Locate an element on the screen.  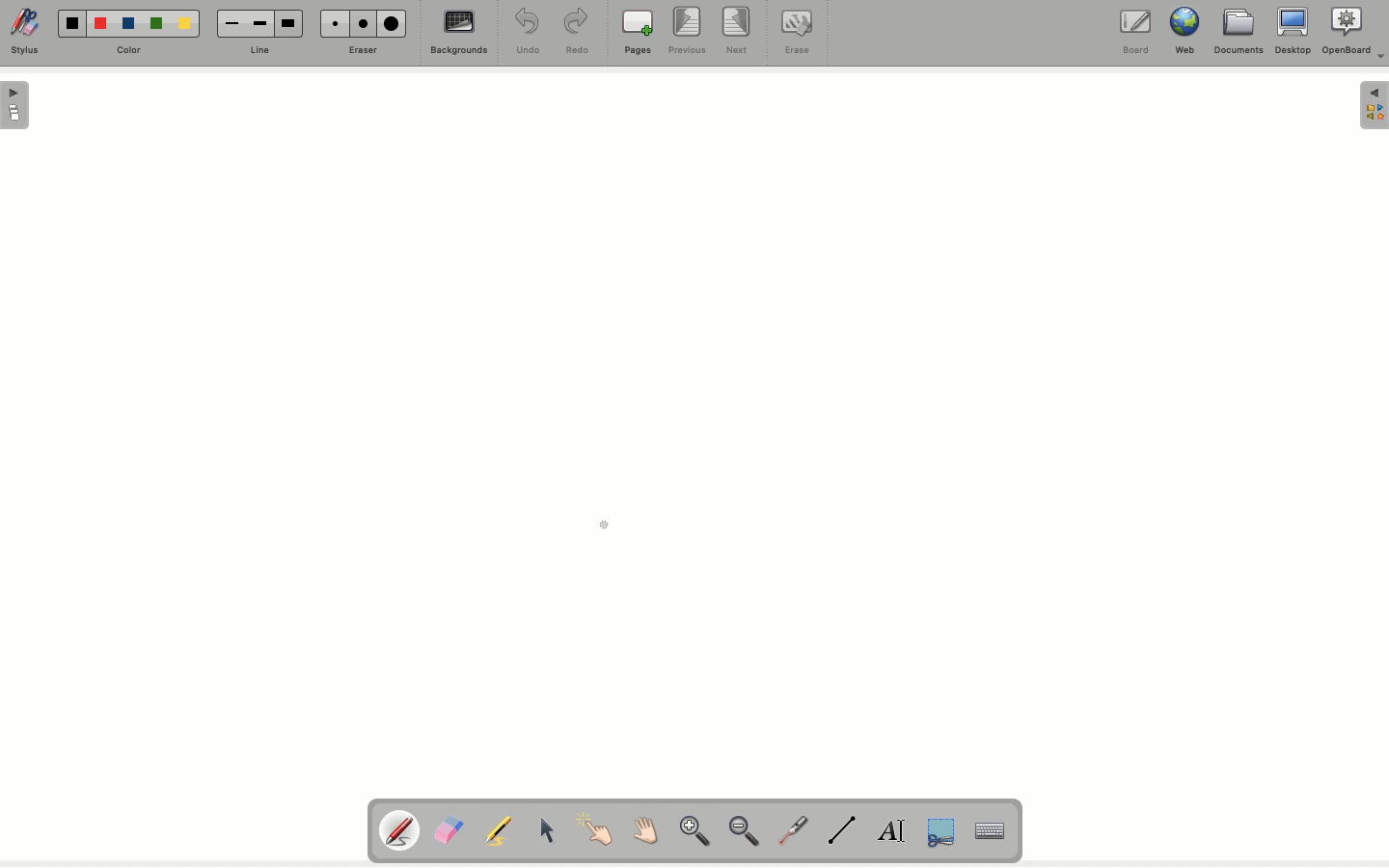
Pages is located at coordinates (640, 33).